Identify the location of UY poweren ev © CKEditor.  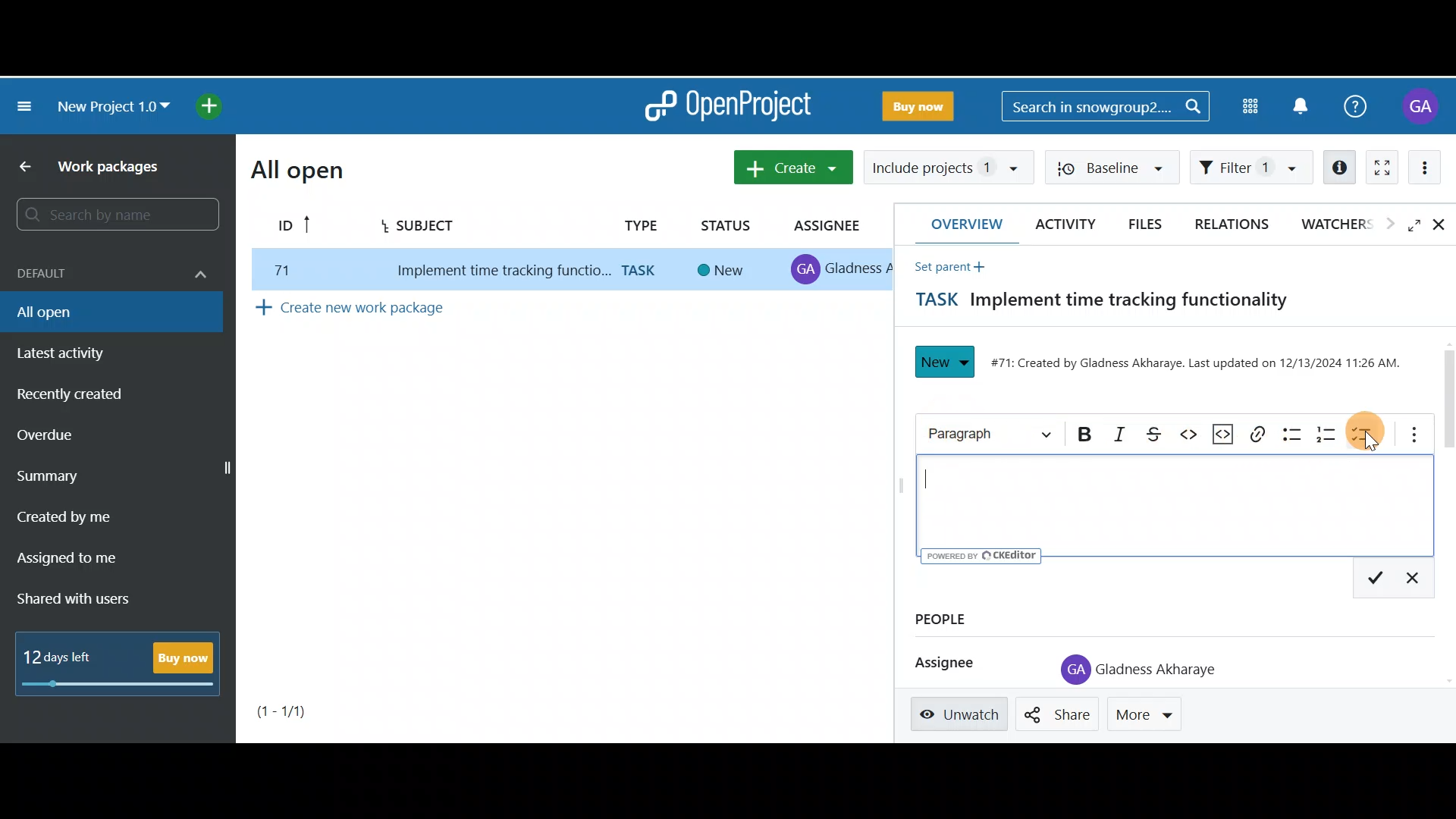
(981, 555).